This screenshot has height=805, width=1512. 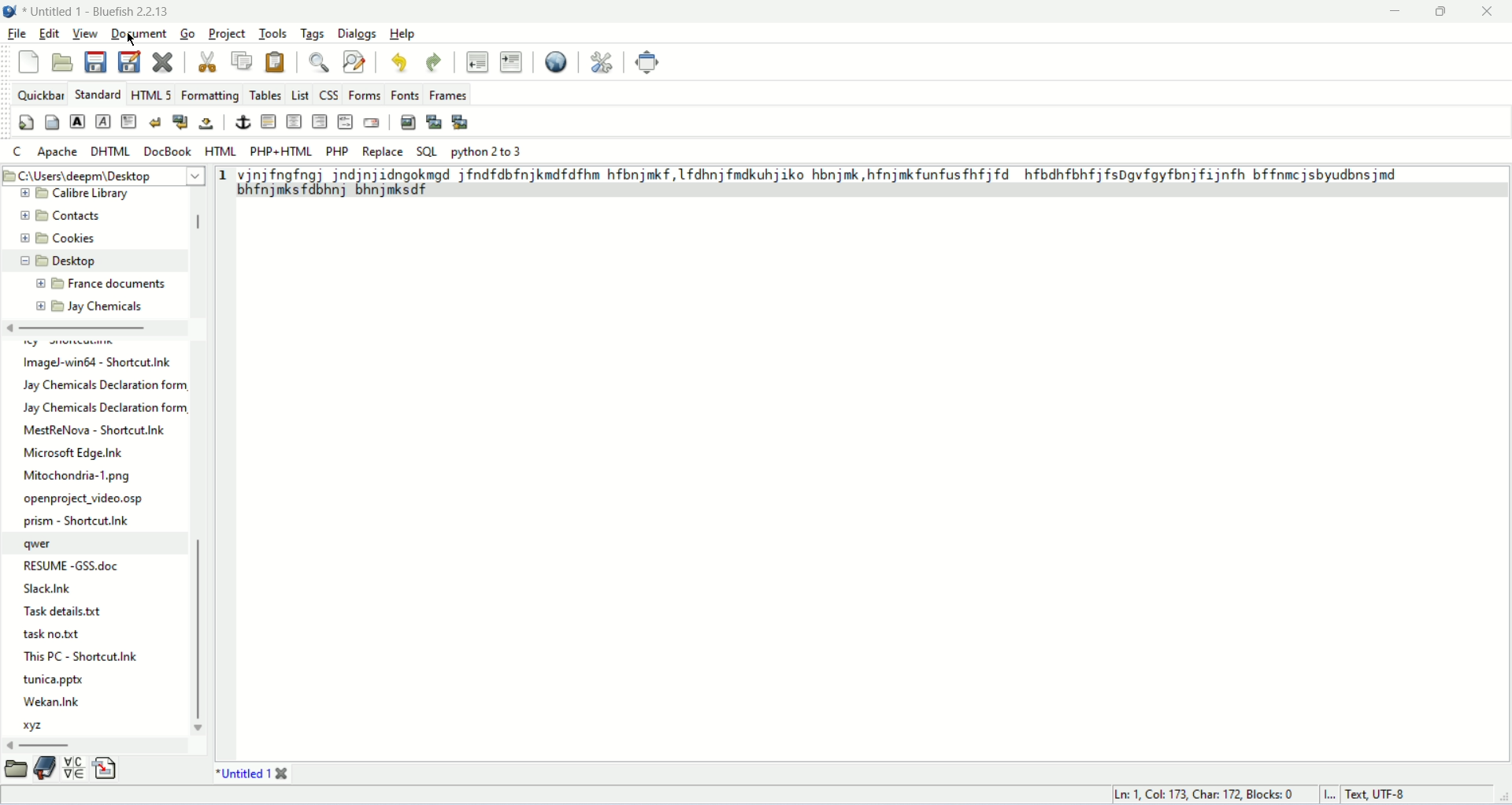 I want to click on Cookies, so click(x=83, y=239).